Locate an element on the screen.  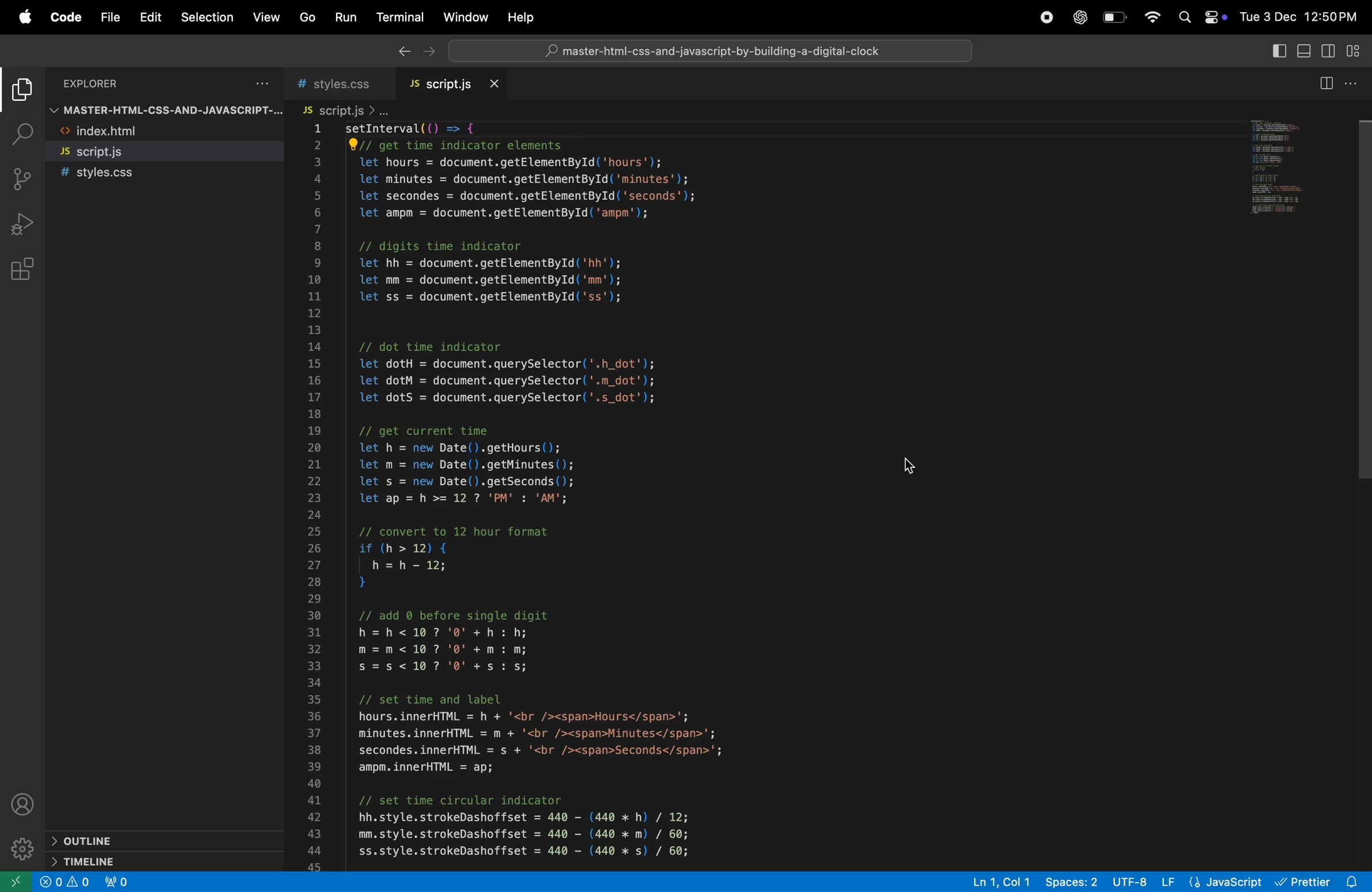
index.html is located at coordinates (165, 131).